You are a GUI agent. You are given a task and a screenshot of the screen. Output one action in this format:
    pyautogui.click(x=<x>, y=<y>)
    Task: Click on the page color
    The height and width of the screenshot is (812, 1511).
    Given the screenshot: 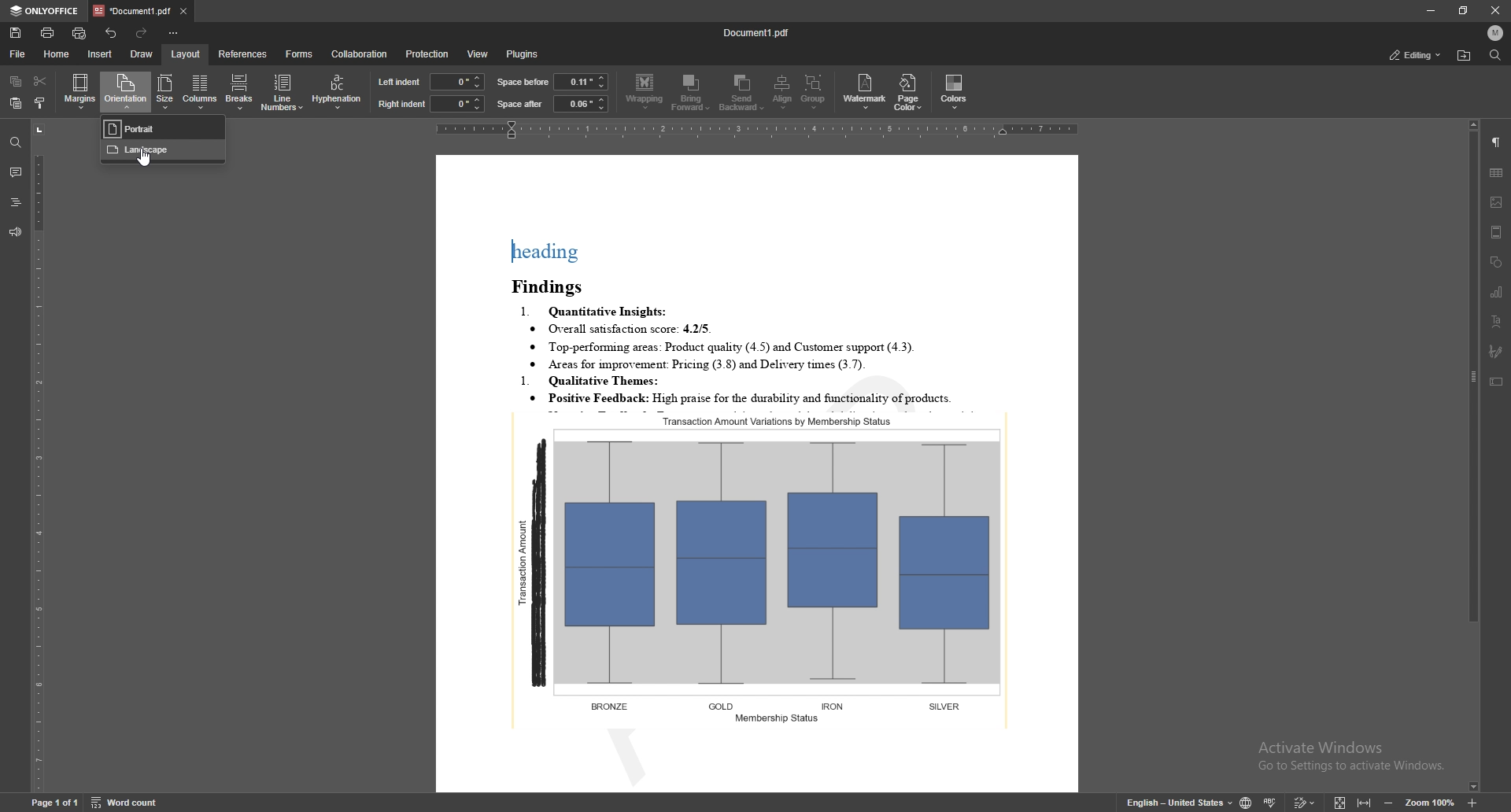 What is the action you would take?
    pyautogui.click(x=907, y=93)
    